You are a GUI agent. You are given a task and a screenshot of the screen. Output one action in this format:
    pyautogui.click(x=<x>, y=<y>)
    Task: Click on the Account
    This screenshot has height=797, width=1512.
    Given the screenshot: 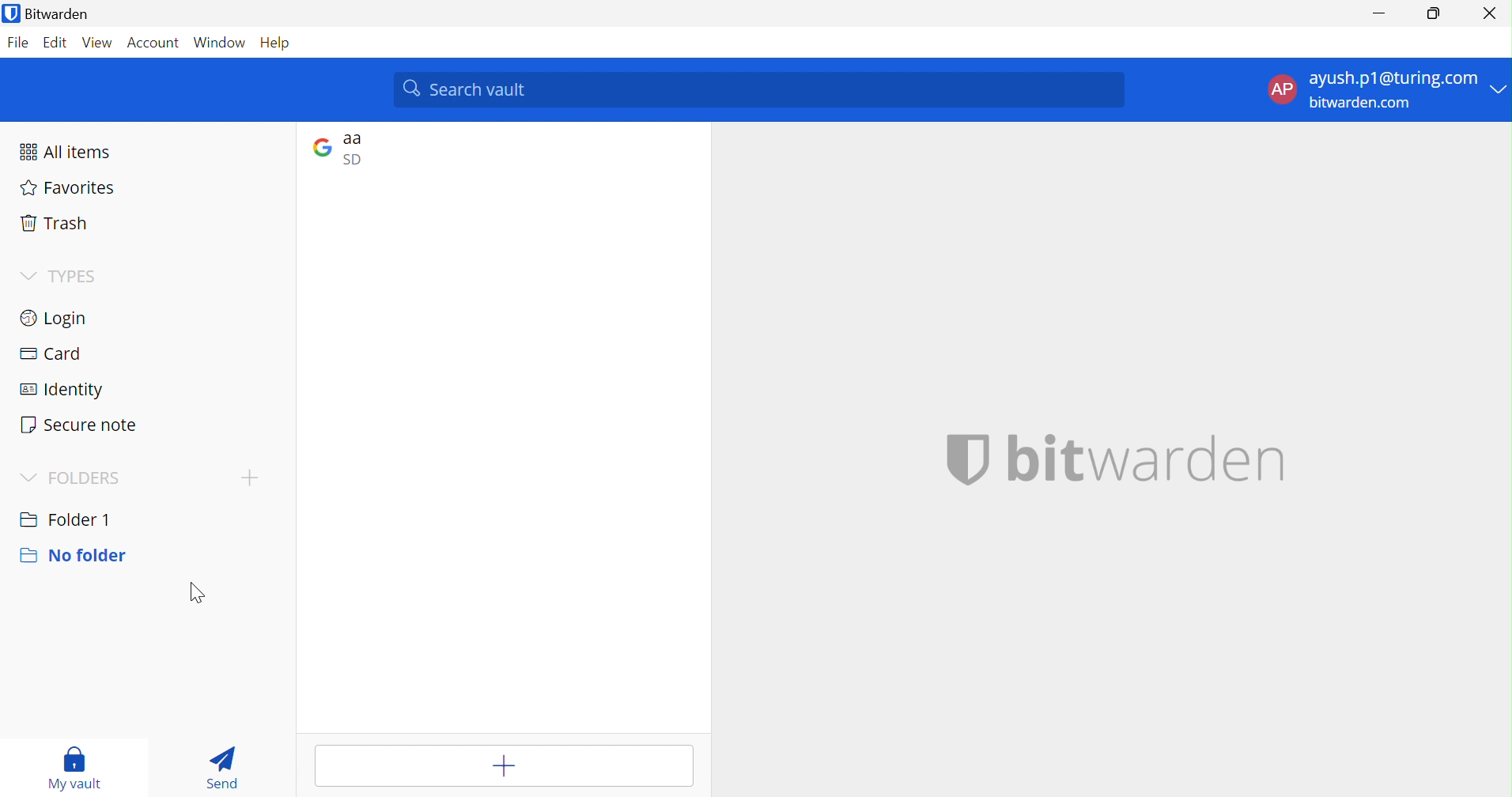 What is the action you would take?
    pyautogui.click(x=156, y=42)
    